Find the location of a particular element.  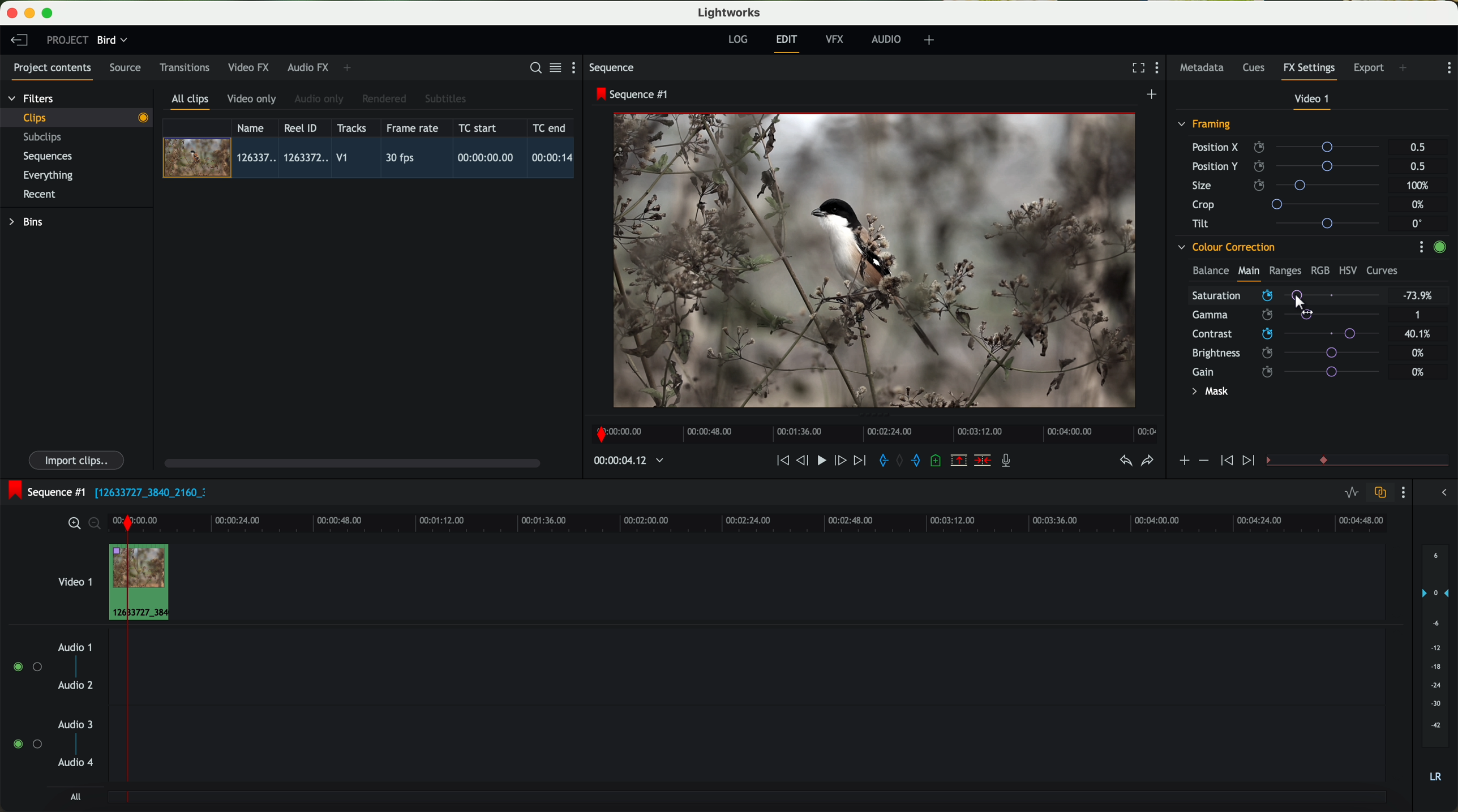

add 'in' mark is located at coordinates (880, 462).